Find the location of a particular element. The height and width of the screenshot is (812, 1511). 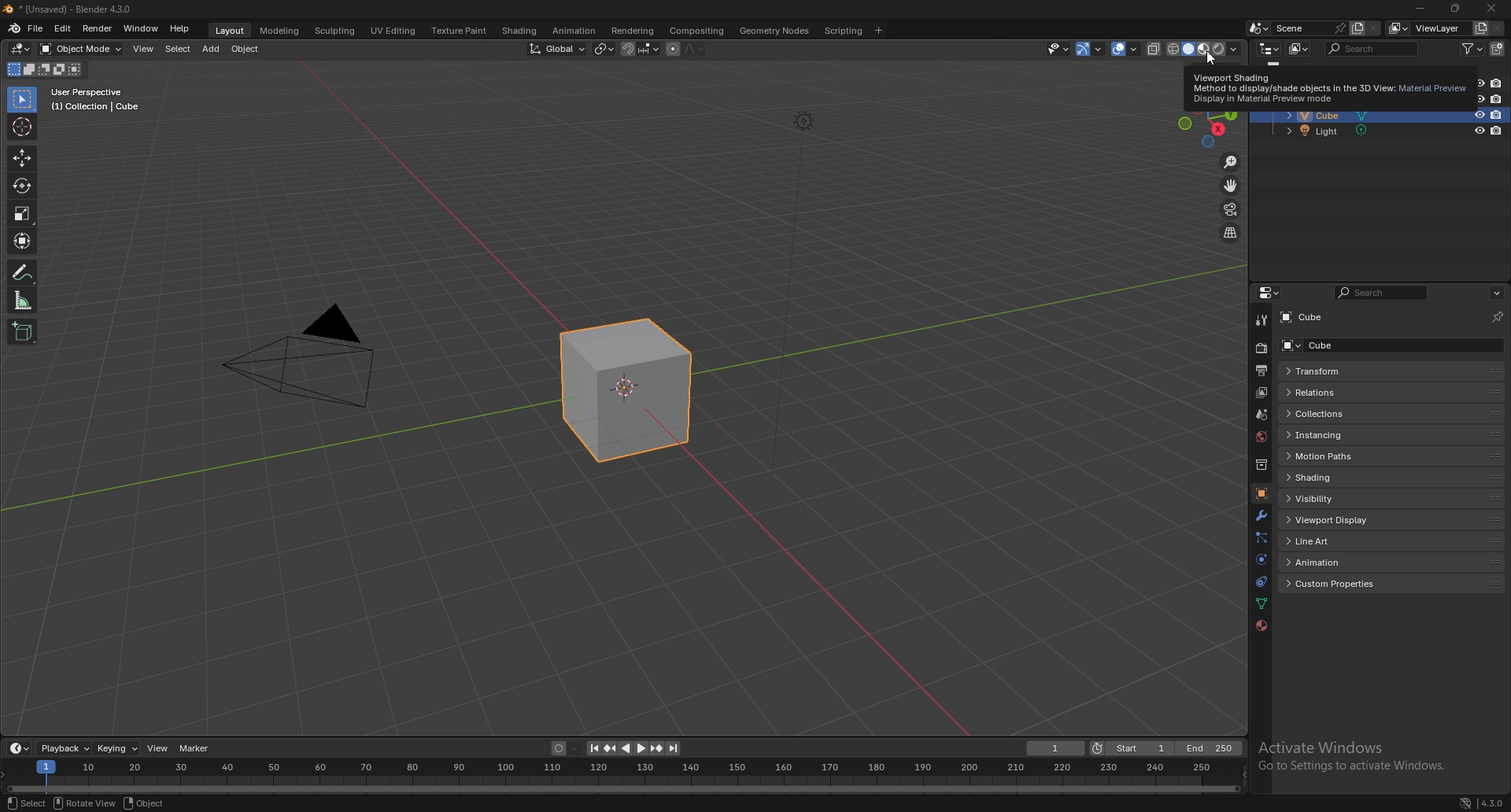

cursor is located at coordinates (1209, 60).